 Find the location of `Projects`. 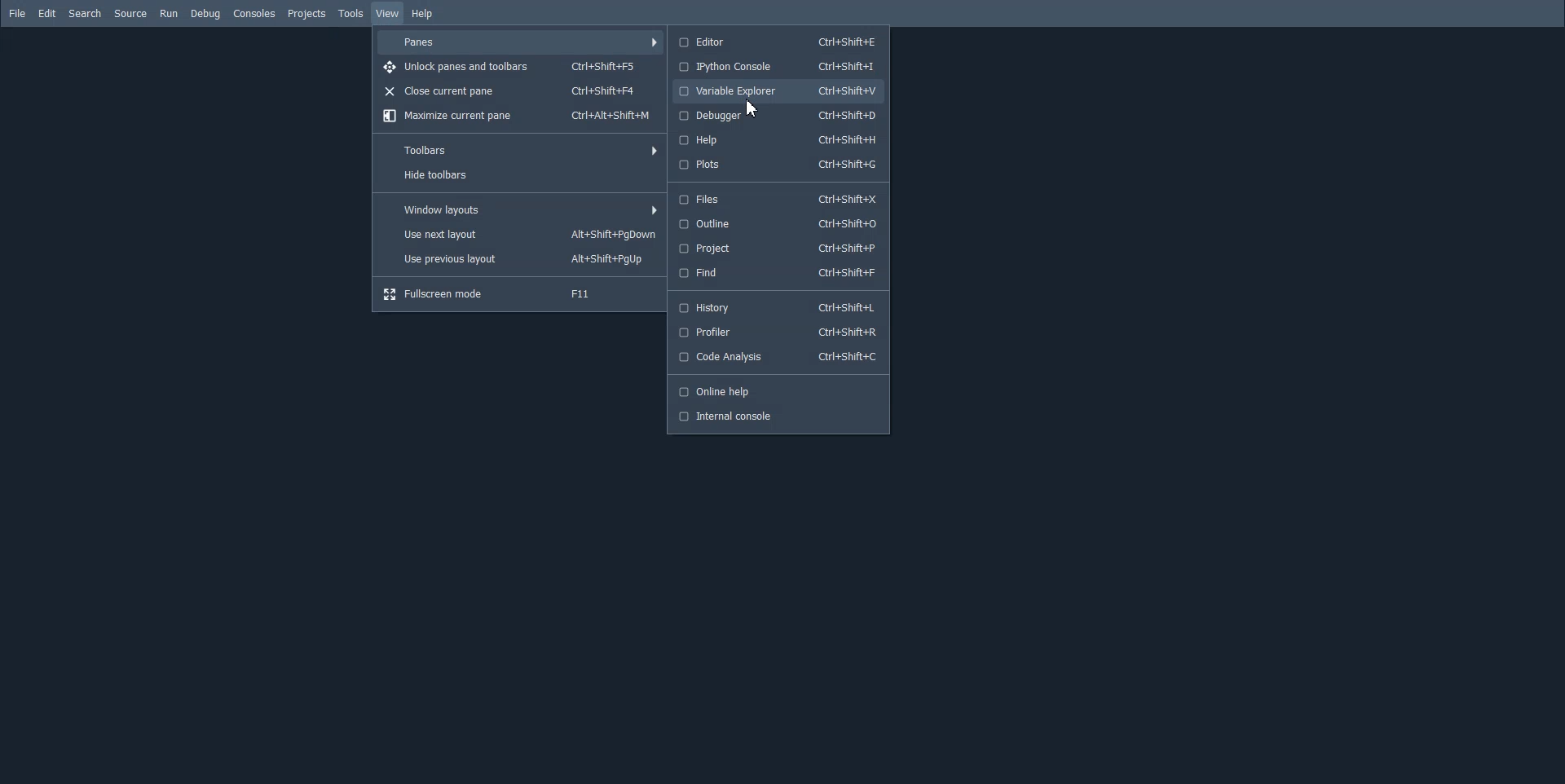

Projects is located at coordinates (306, 13).